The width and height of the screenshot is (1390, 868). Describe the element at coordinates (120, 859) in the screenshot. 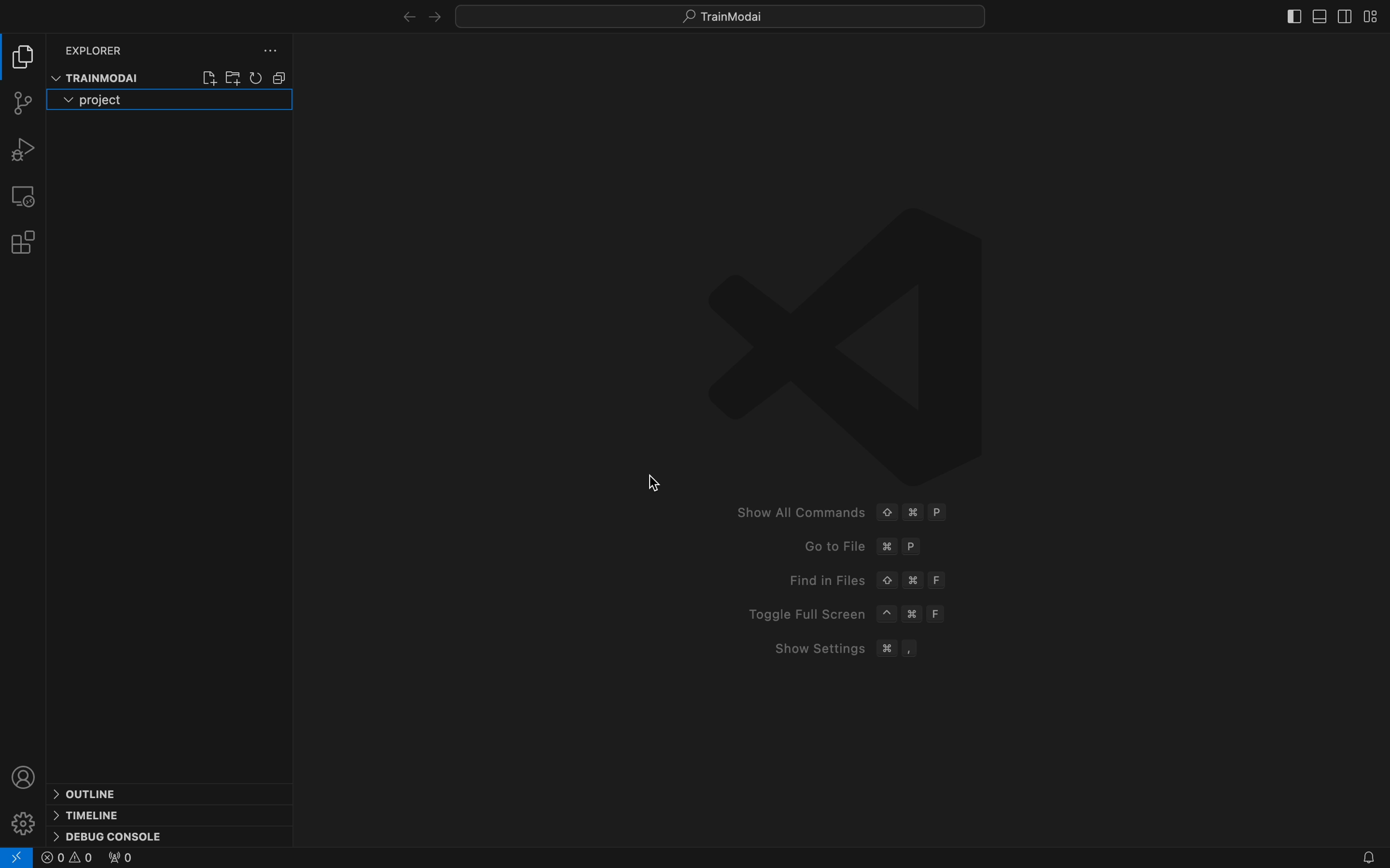

I see `0` at that location.